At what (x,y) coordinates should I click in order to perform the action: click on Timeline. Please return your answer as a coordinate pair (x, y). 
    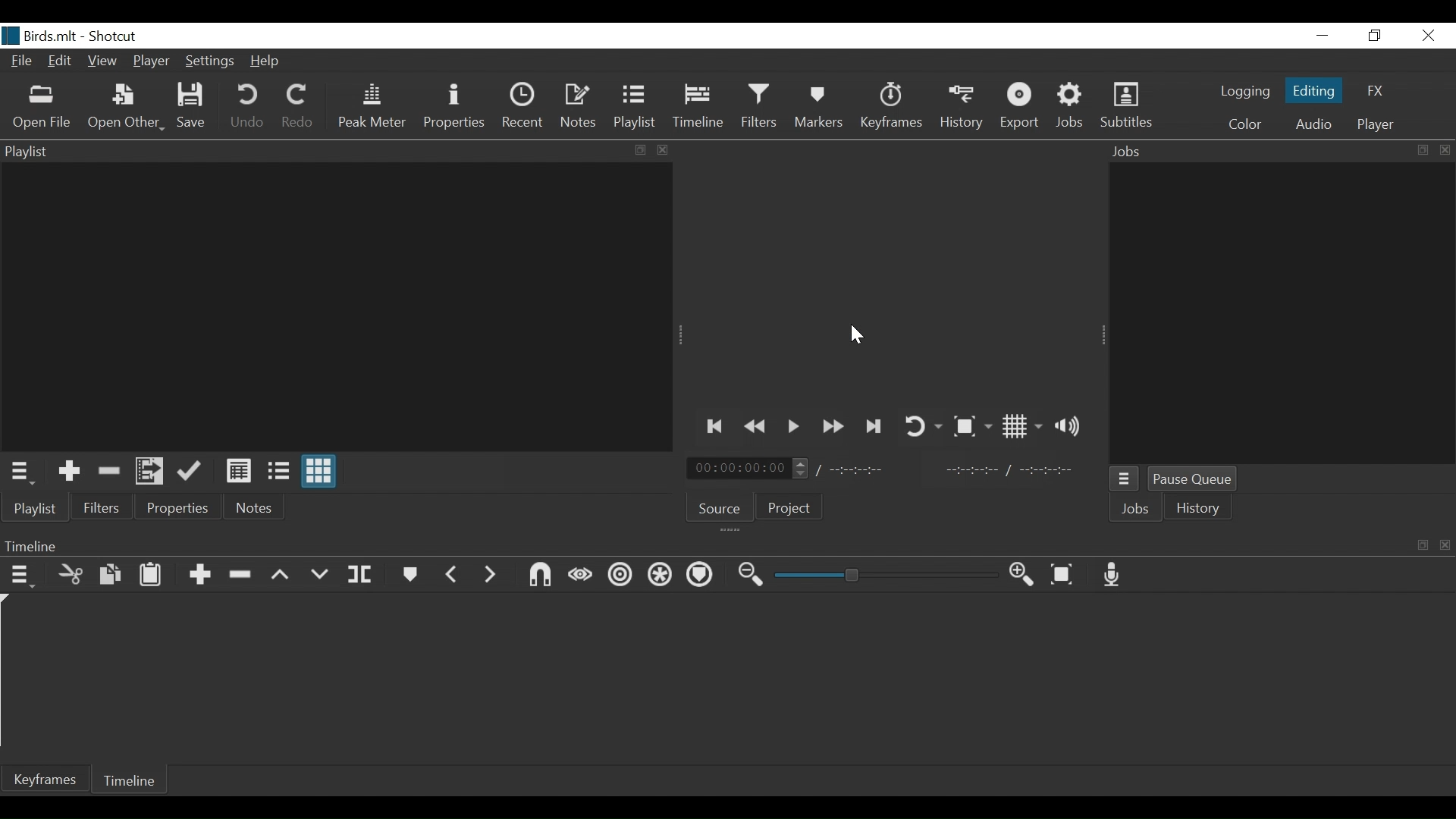
    Looking at the image, I should click on (133, 779).